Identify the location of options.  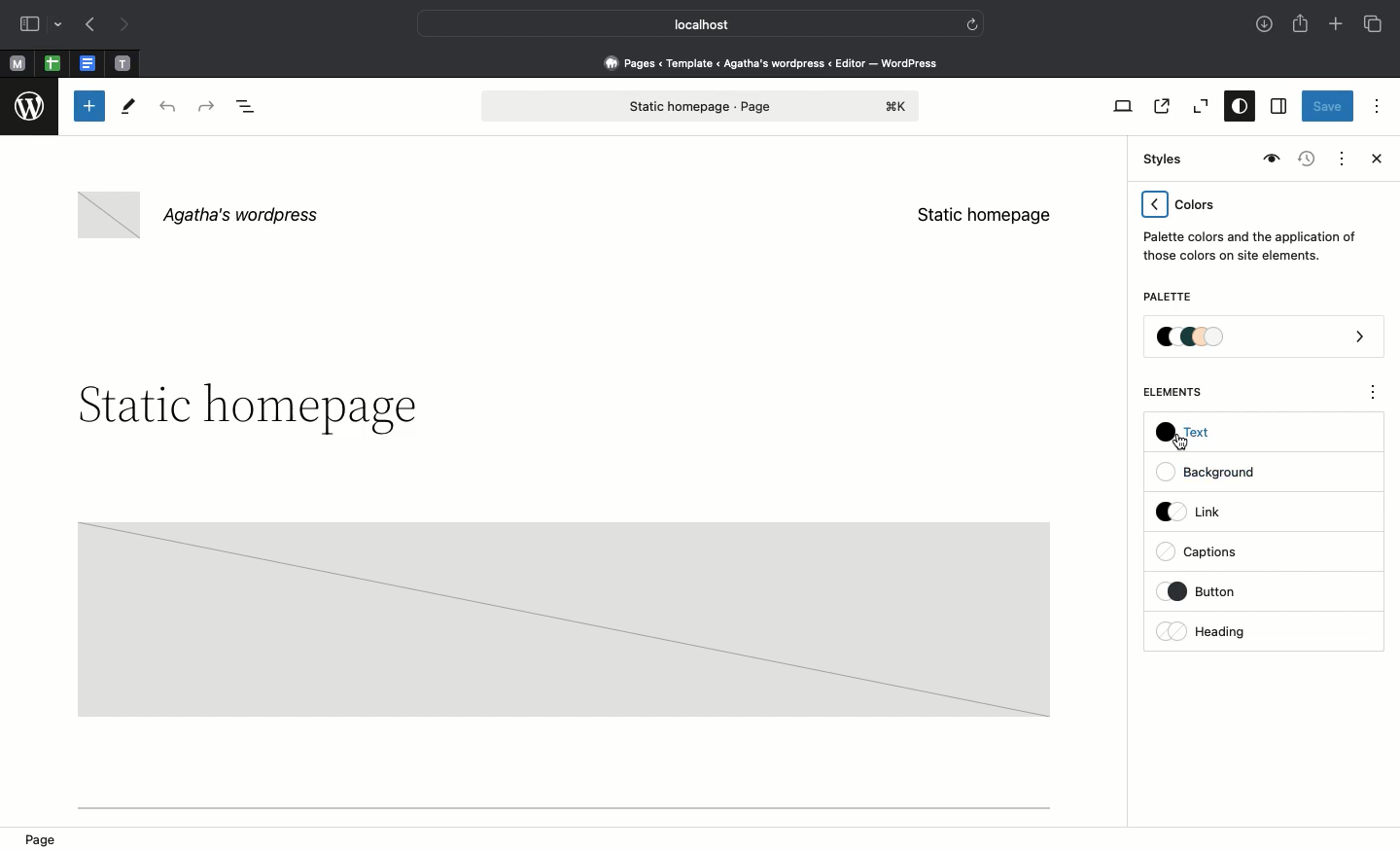
(1374, 395).